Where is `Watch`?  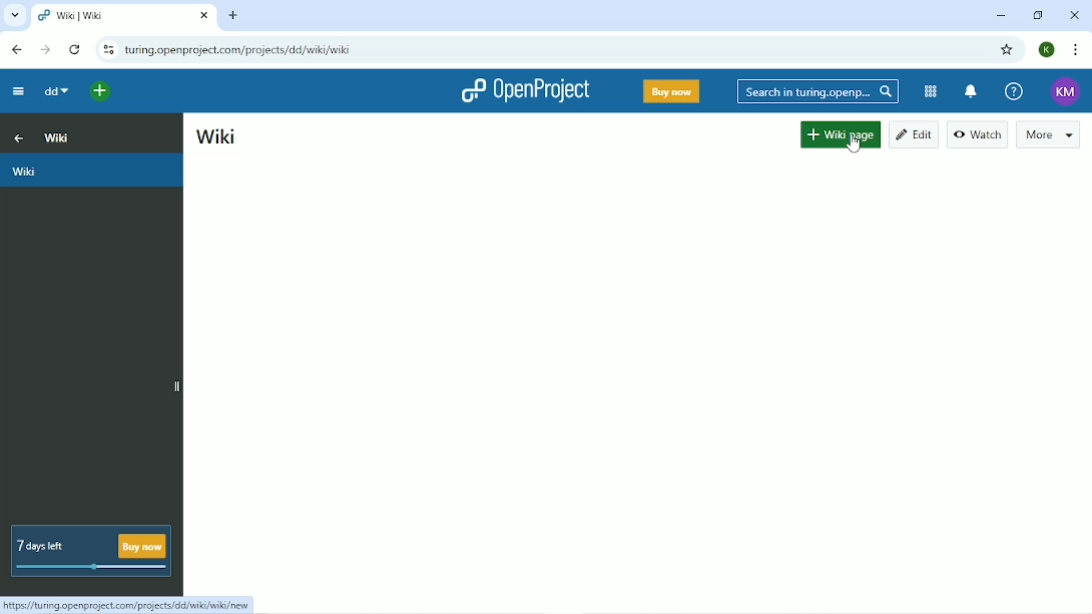 Watch is located at coordinates (978, 134).